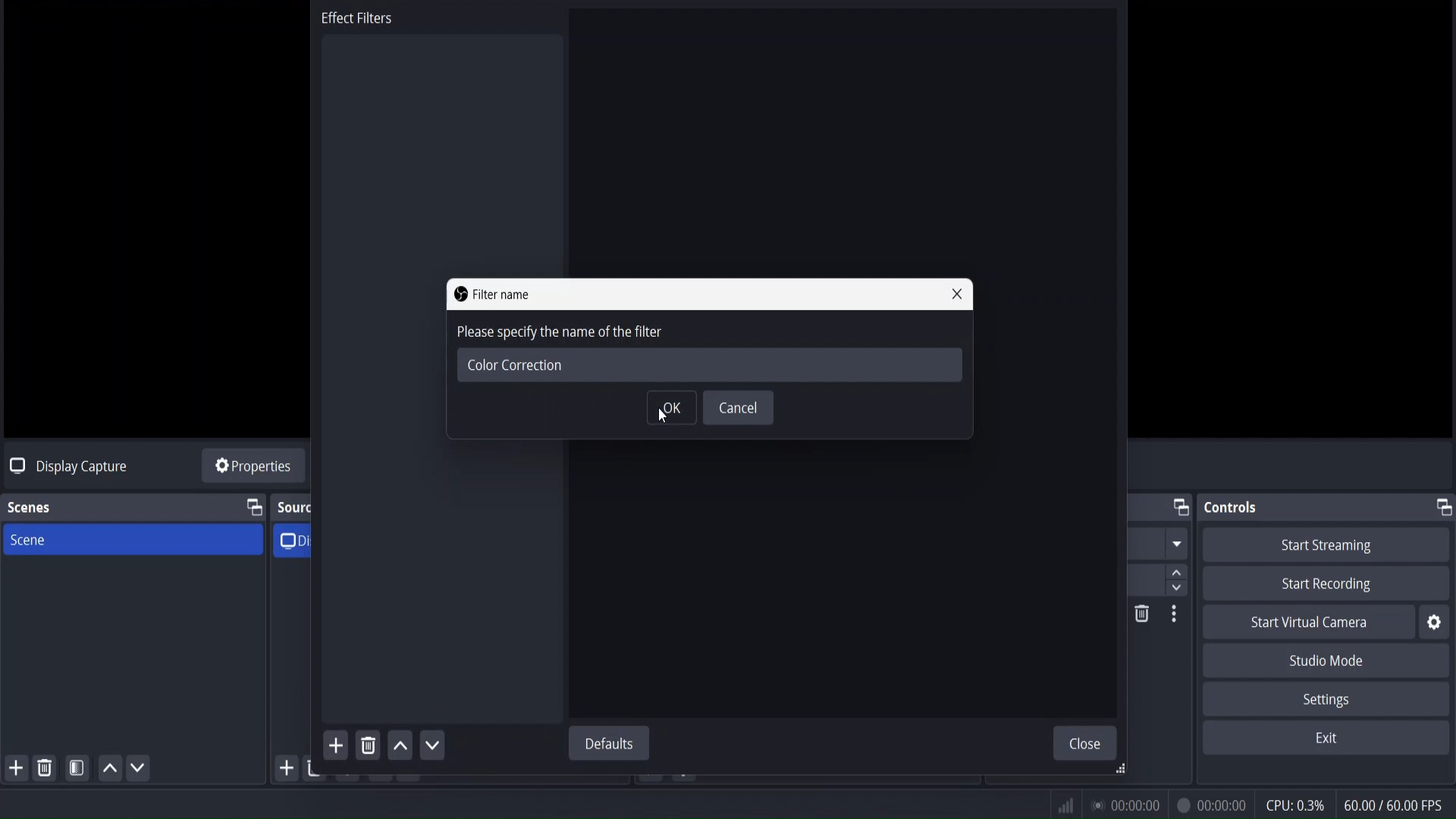  I want to click on change tab layout, so click(1179, 508).